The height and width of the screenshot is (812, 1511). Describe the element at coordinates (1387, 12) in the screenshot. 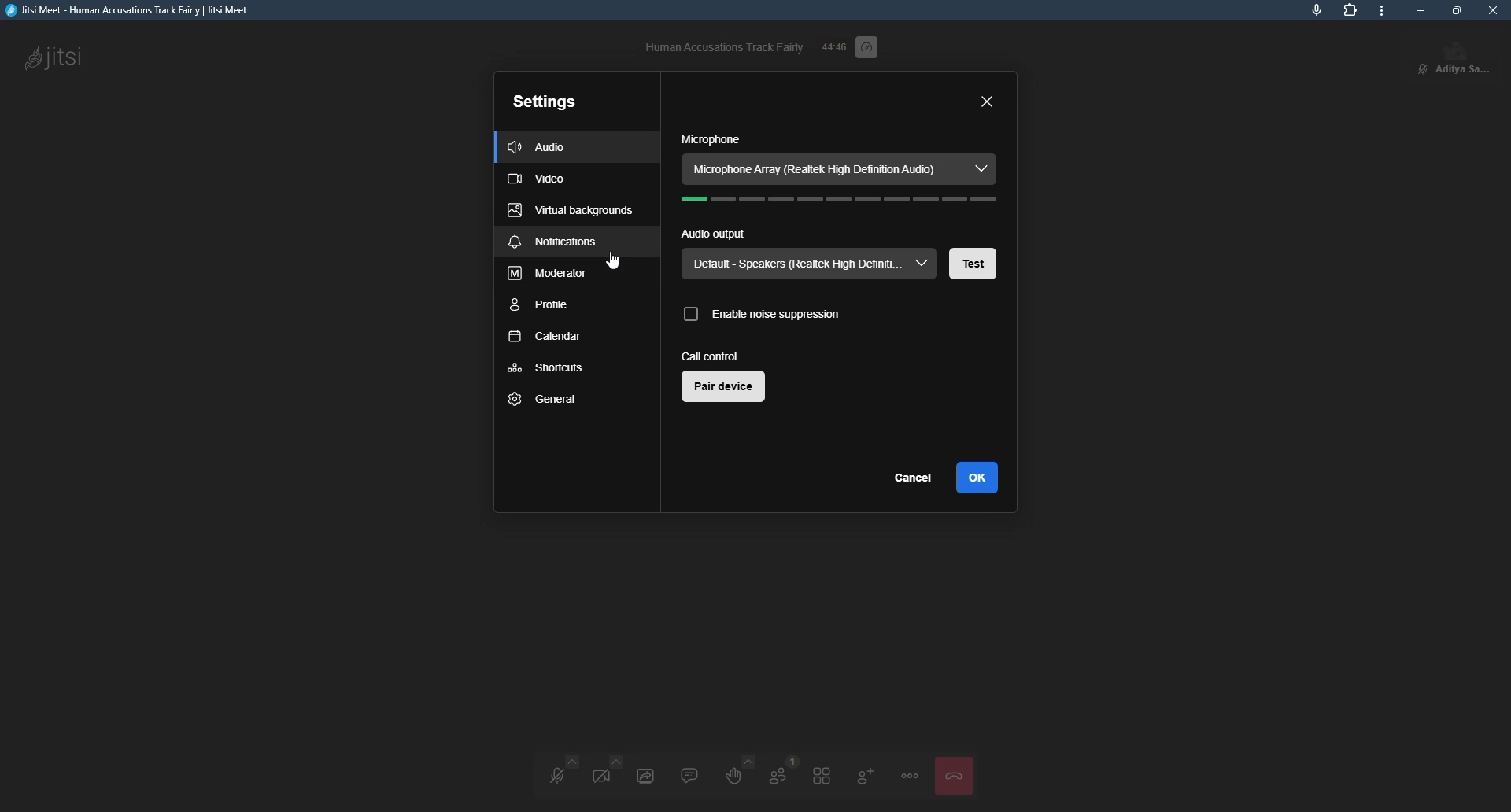

I see `more` at that location.